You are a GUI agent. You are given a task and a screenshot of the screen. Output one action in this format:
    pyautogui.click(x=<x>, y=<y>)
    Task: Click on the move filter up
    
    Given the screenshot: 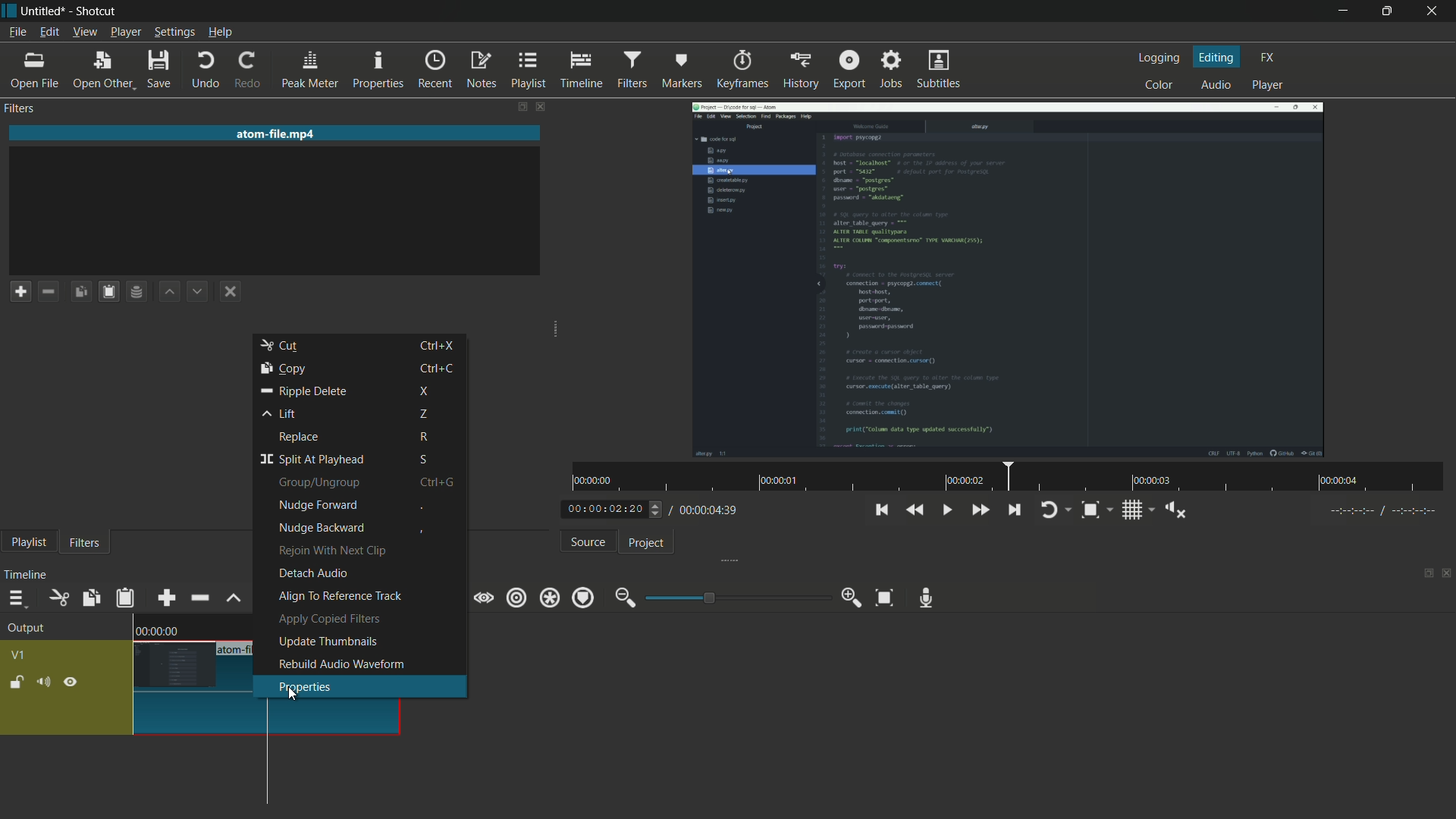 What is the action you would take?
    pyautogui.click(x=167, y=293)
    